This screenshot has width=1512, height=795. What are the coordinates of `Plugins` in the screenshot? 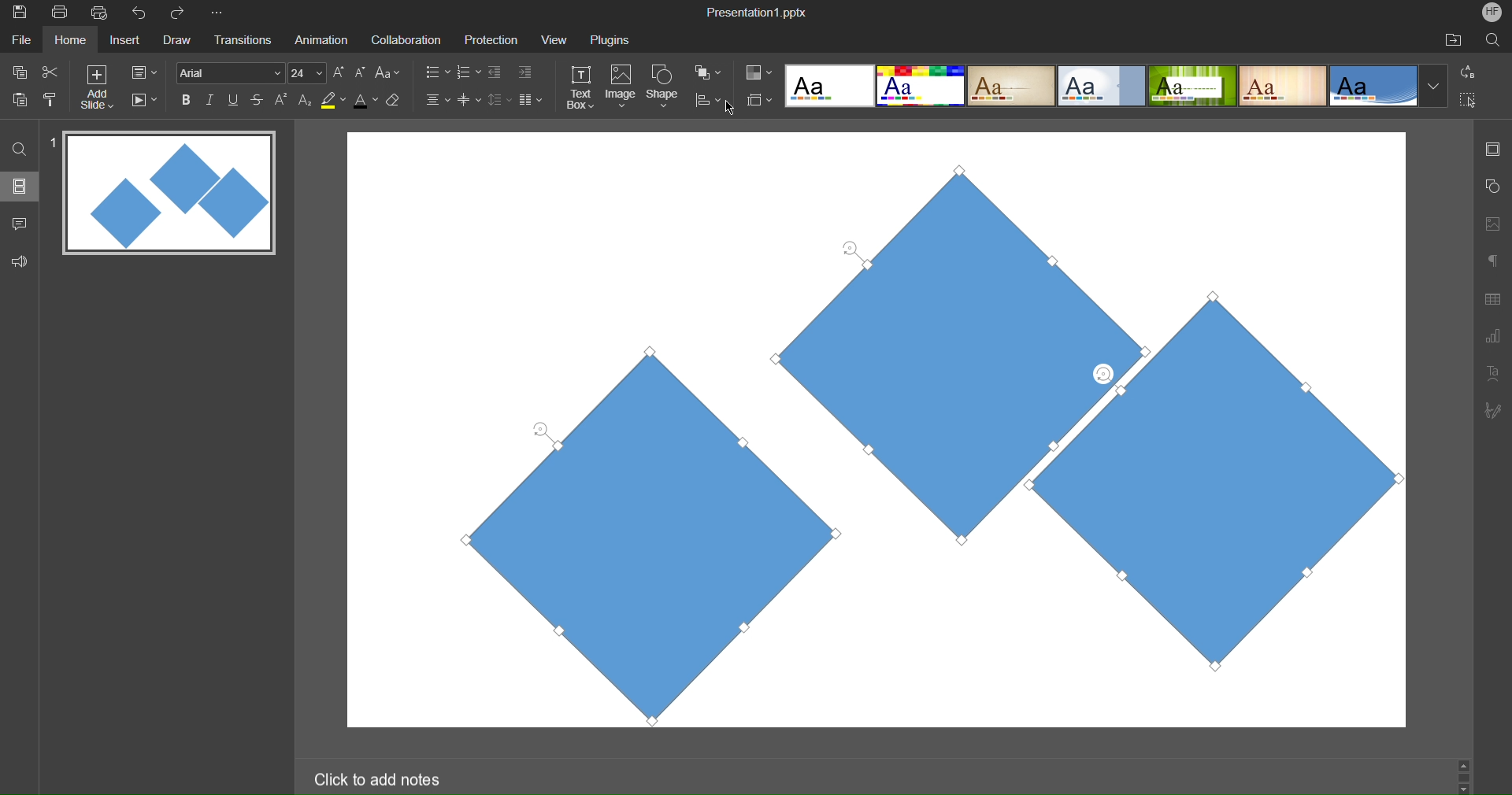 It's located at (612, 39).